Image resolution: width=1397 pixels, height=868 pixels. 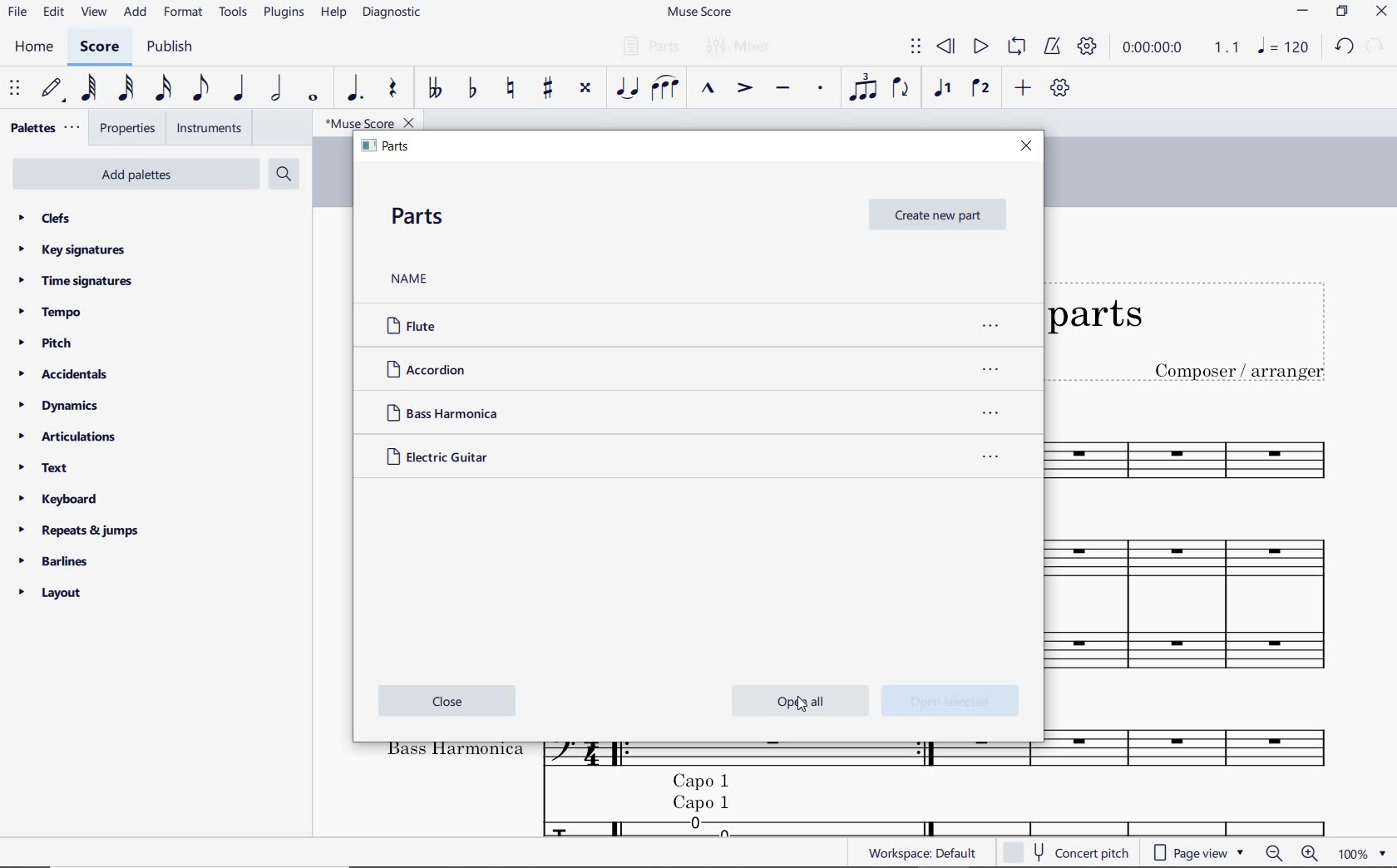 What do you see at coordinates (98, 47) in the screenshot?
I see `score` at bounding box center [98, 47].